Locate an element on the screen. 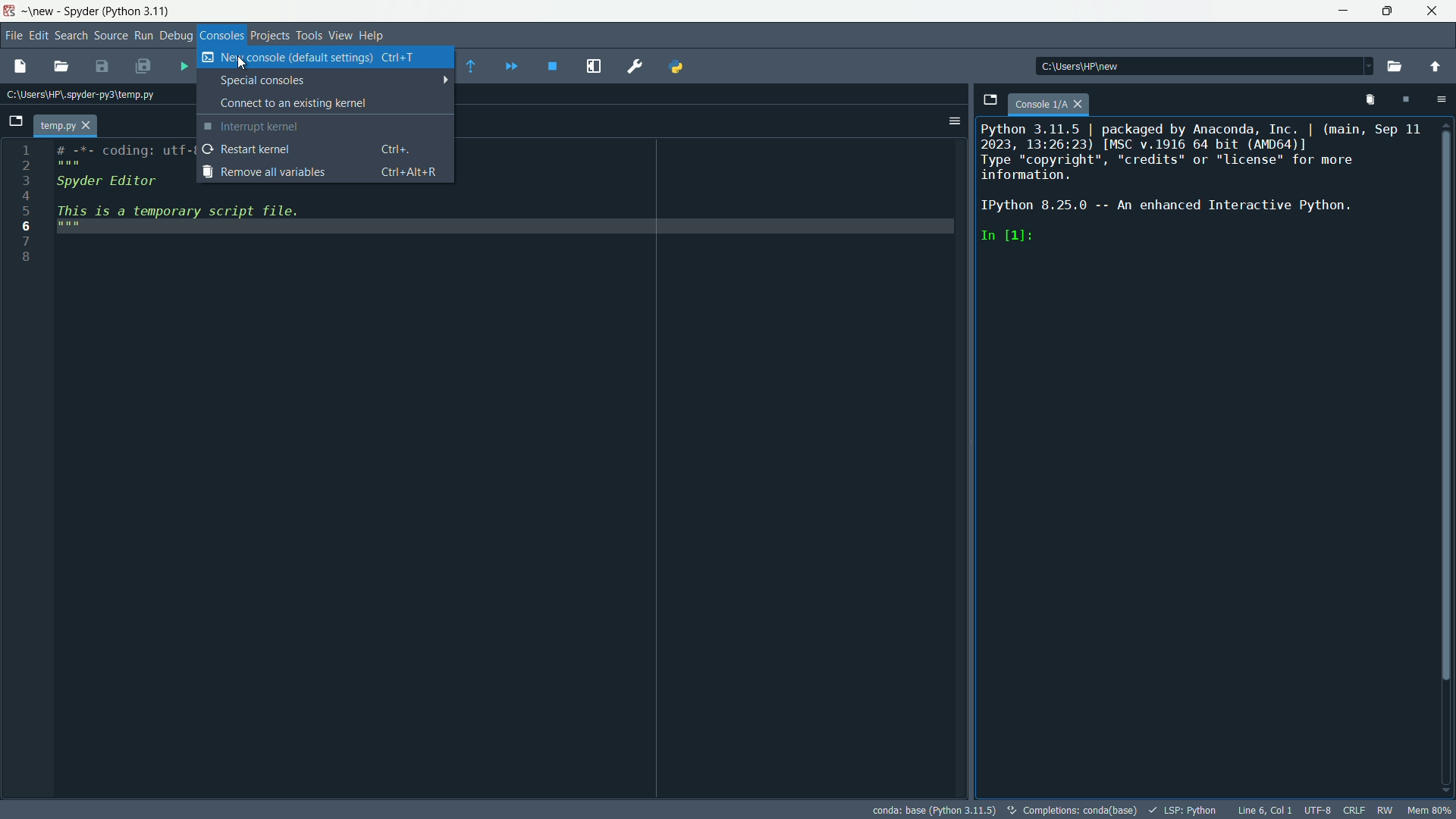 Image resolution: width=1456 pixels, height=819 pixels. view menu is located at coordinates (340, 36).